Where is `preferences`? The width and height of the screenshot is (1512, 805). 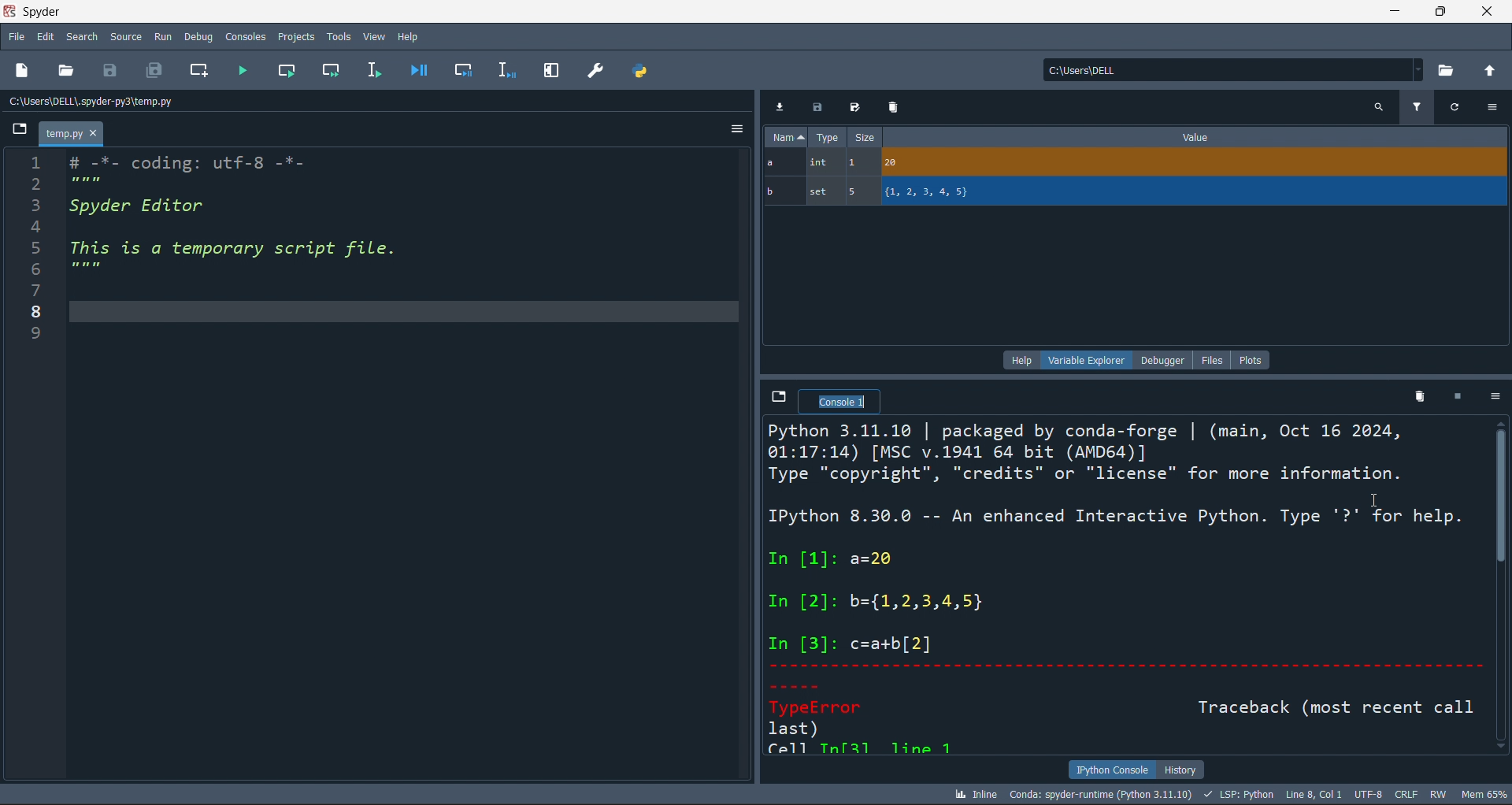 preferences is located at coordinates (595, 69).